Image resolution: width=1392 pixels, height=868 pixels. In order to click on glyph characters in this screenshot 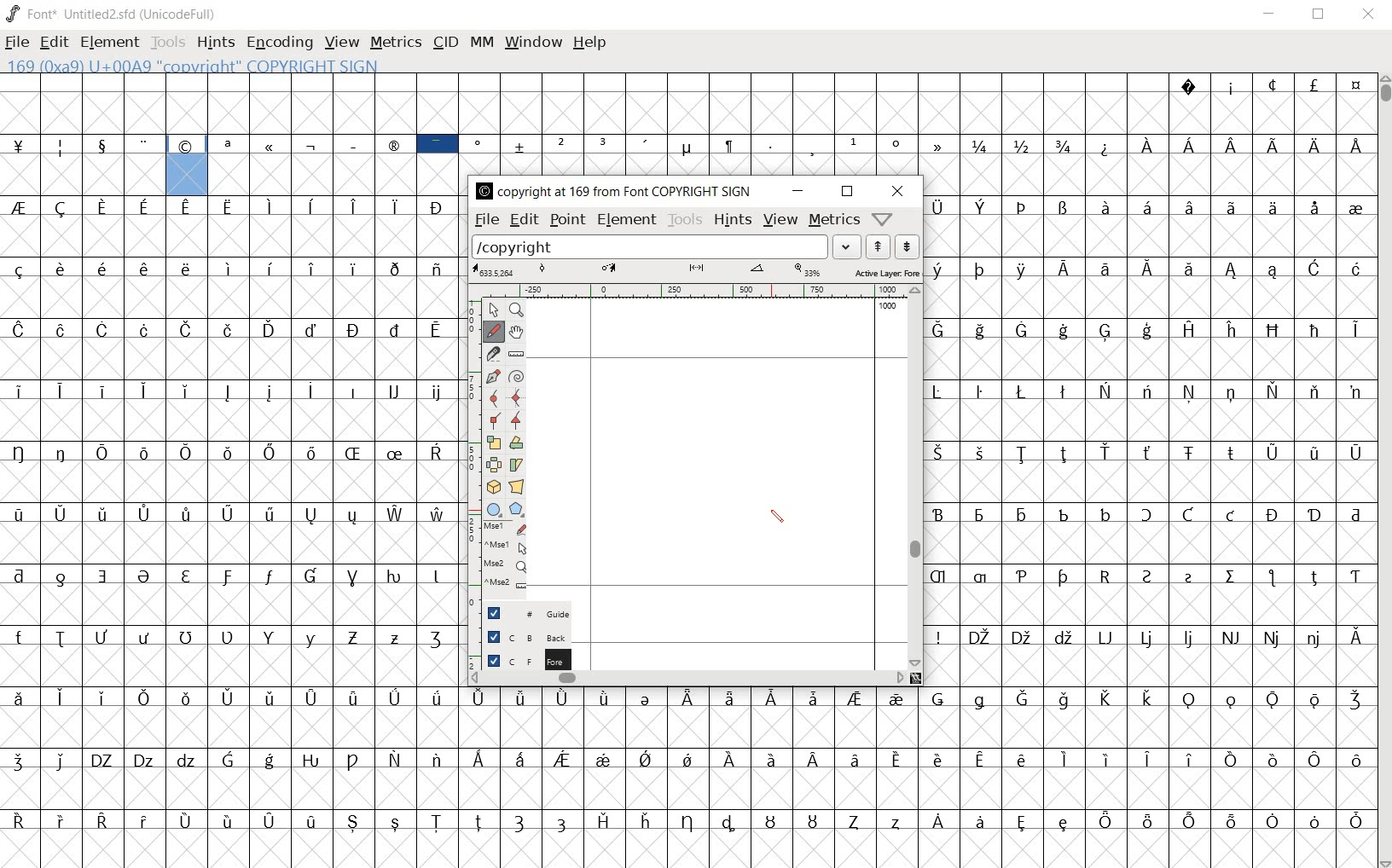, I will do `click(917, 775)`.